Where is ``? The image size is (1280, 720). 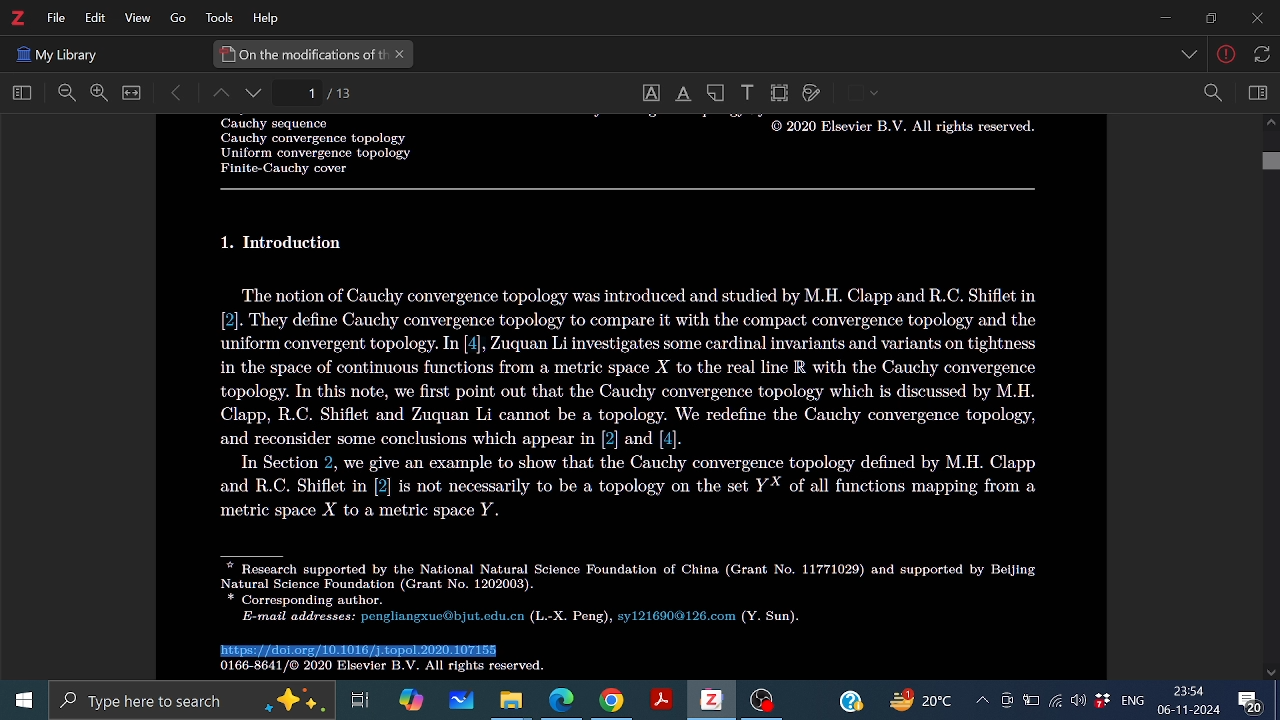  is located at coordinates (286, 243).